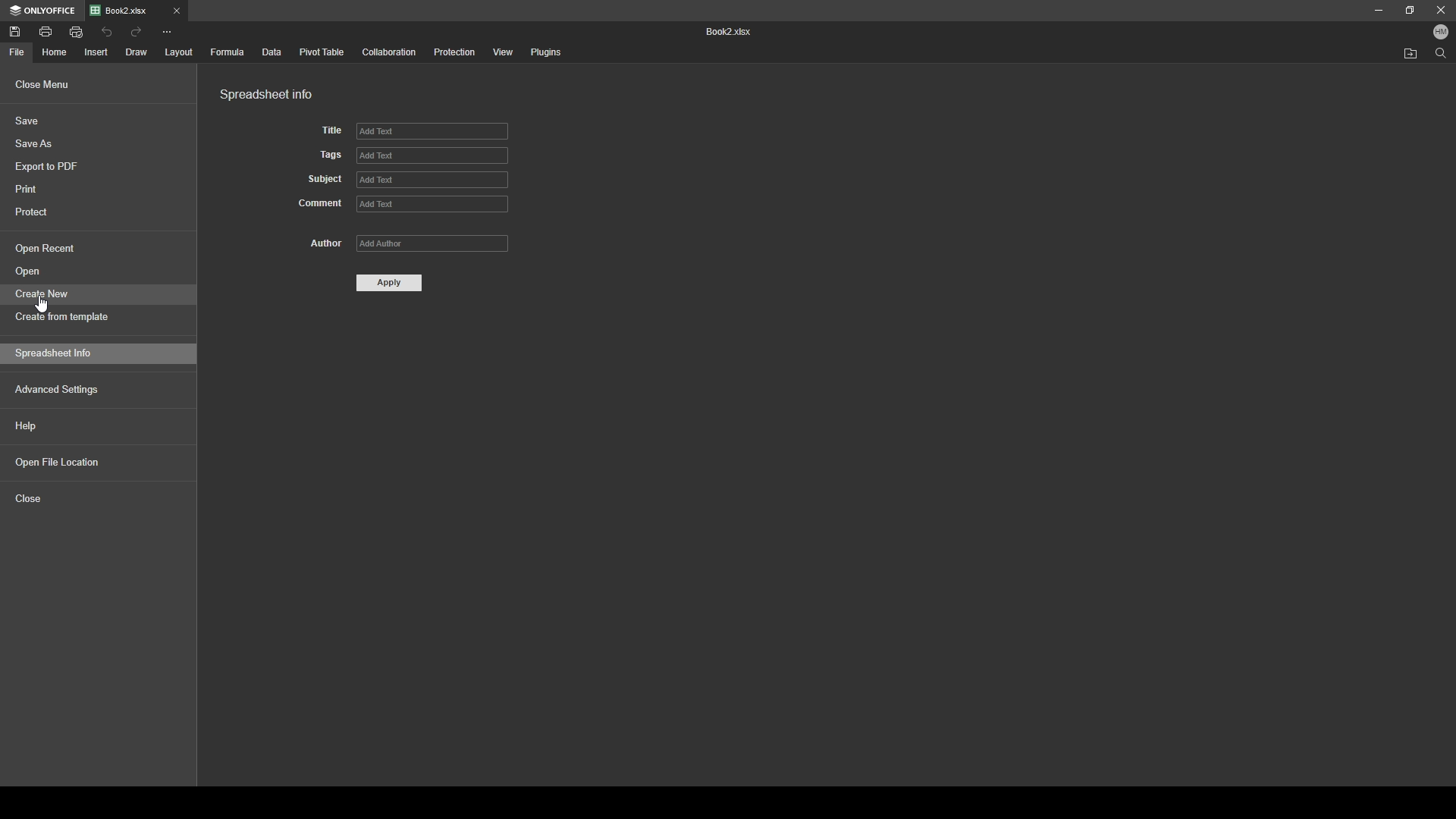 The width and height of the screenshot is (1456, 819). Describe the element at coordinates (97, 427) in the screenshot. I see `help` at that location.